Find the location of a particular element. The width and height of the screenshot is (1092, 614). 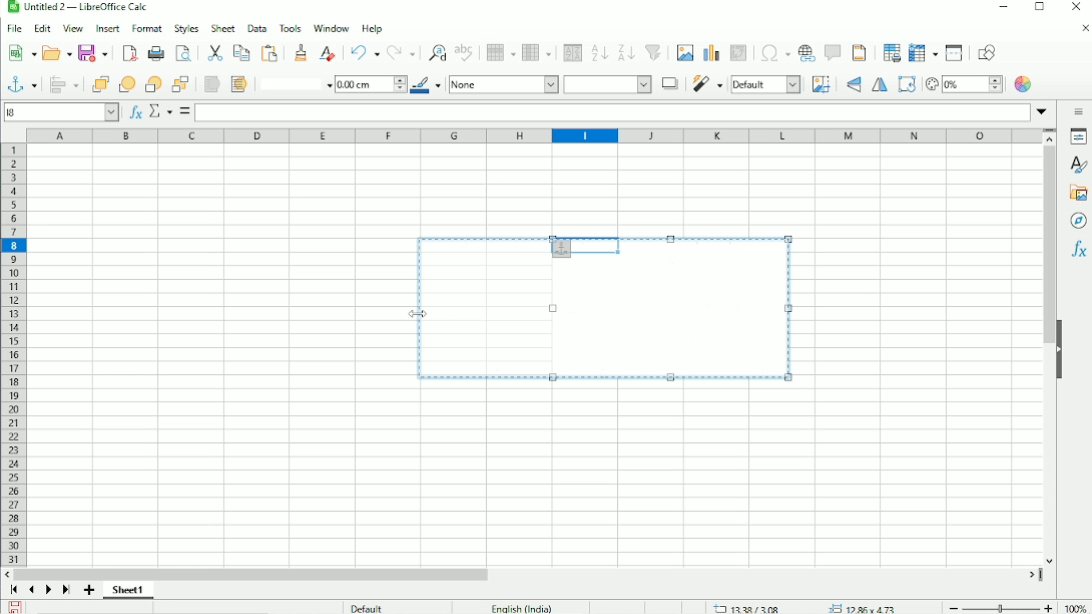

To foreground is located at coordinates (211, 84).